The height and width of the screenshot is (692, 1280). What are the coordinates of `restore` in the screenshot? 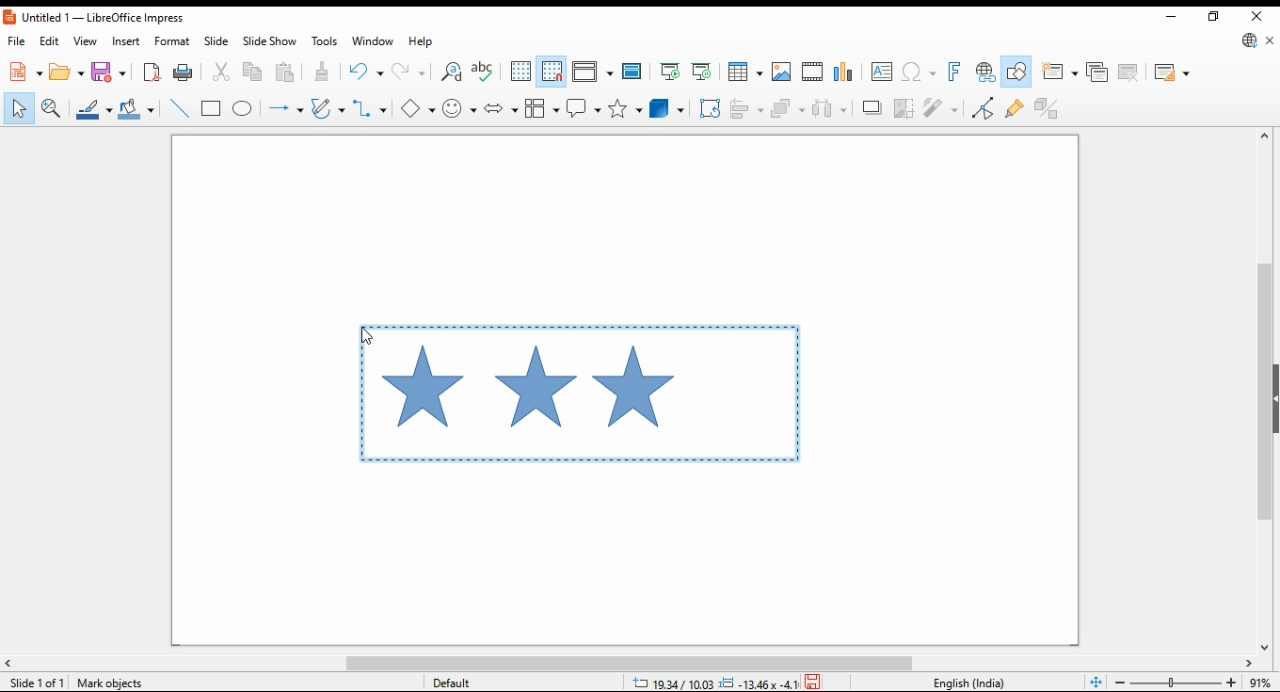 It's located at (1215, 17).